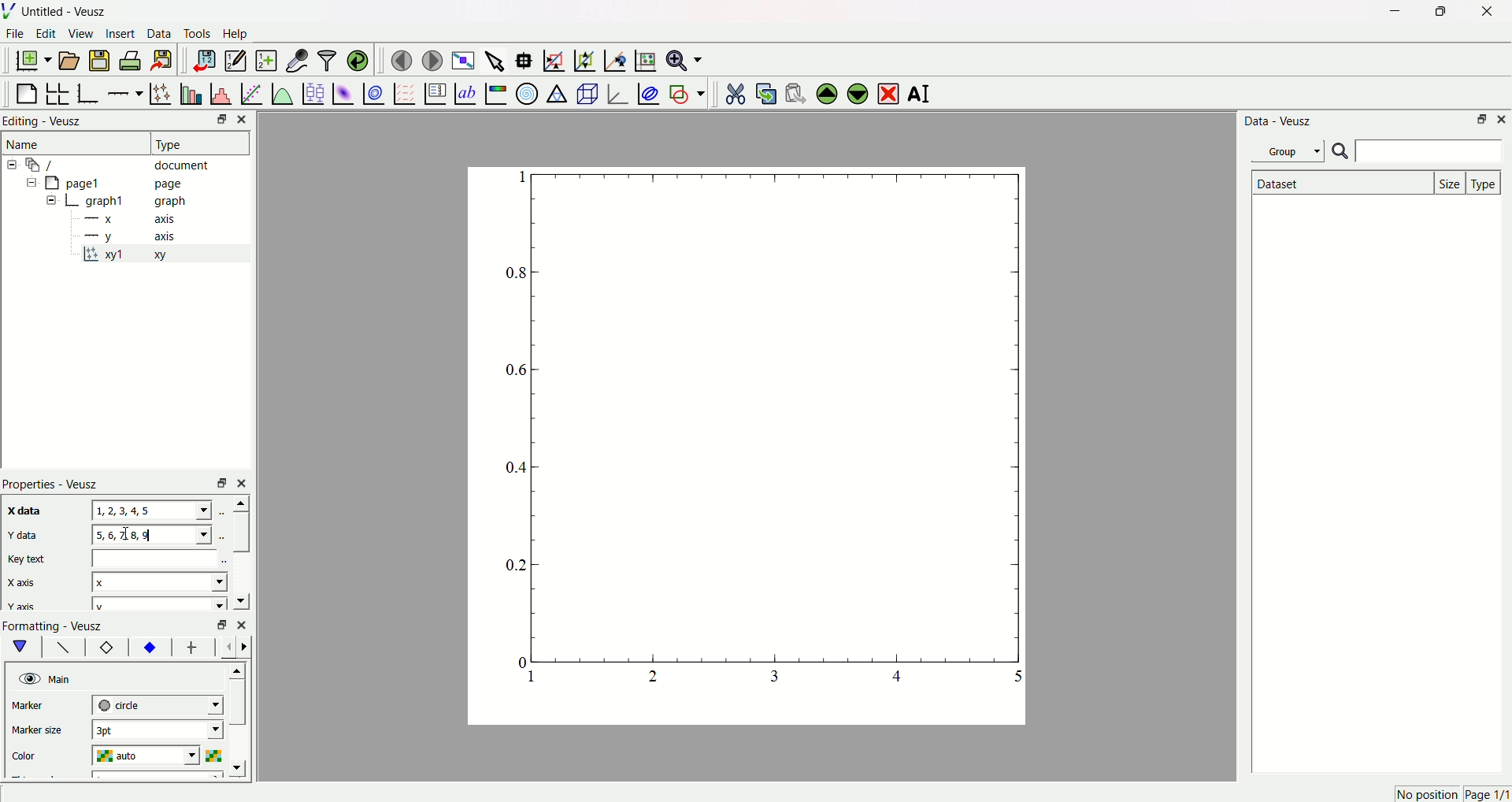 The height and width of the screenshot is (802, 1512). I want to click on Y axis, so click(23, 607).